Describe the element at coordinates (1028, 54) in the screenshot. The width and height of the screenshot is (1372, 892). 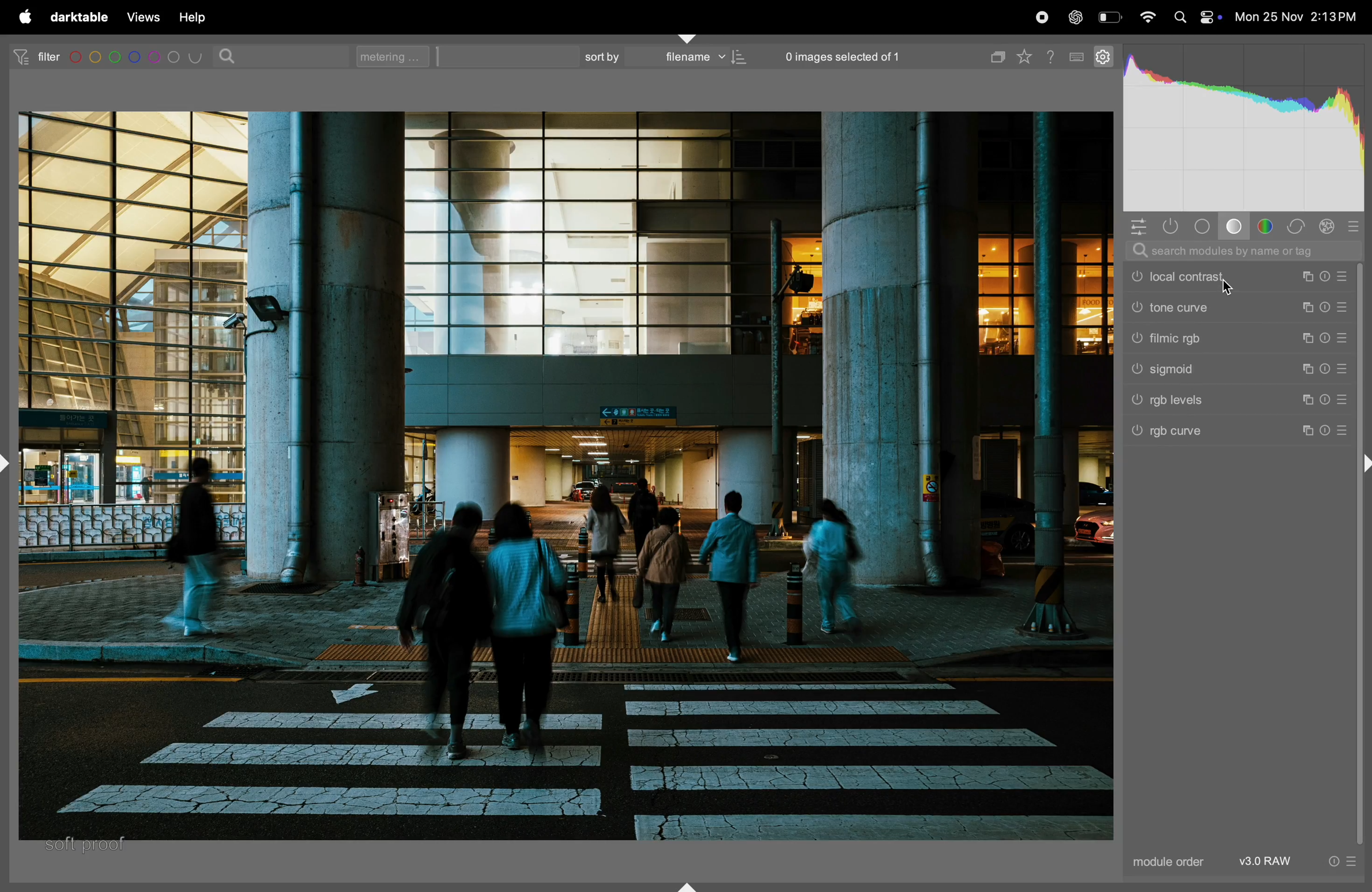
I see `favourites` at that location.